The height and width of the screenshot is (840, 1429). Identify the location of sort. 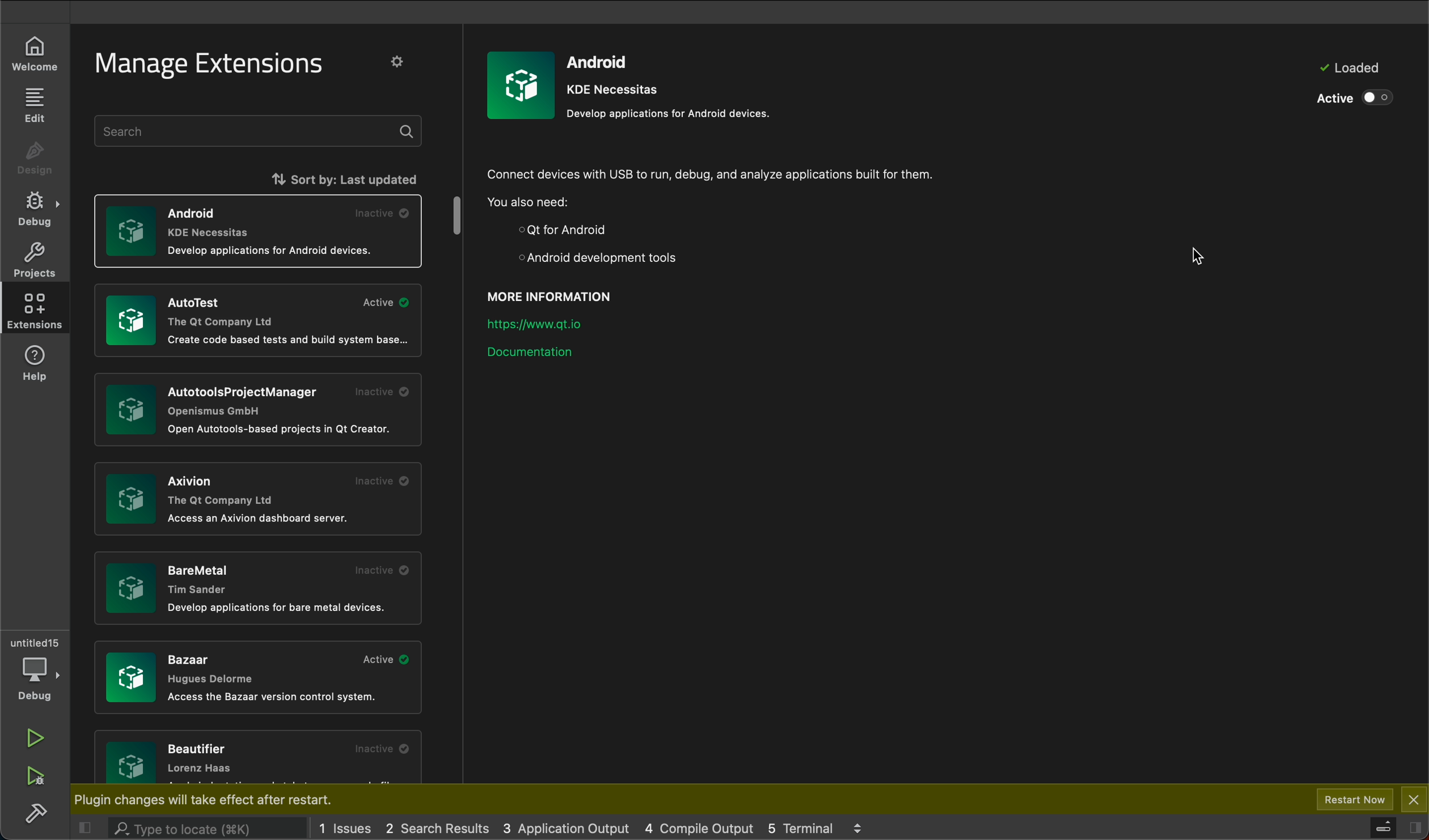
(307, 177).